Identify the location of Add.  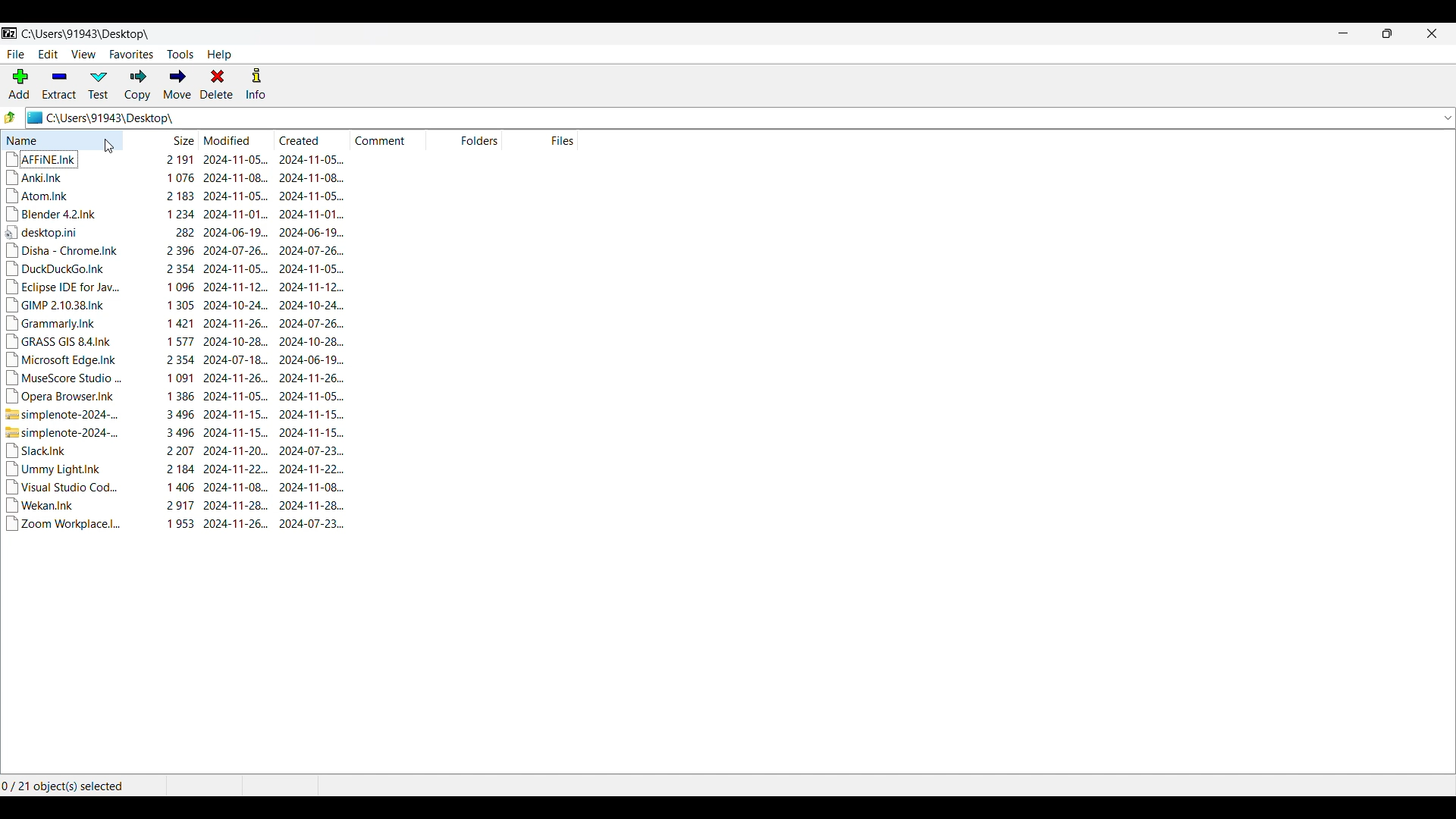
(20, 84).